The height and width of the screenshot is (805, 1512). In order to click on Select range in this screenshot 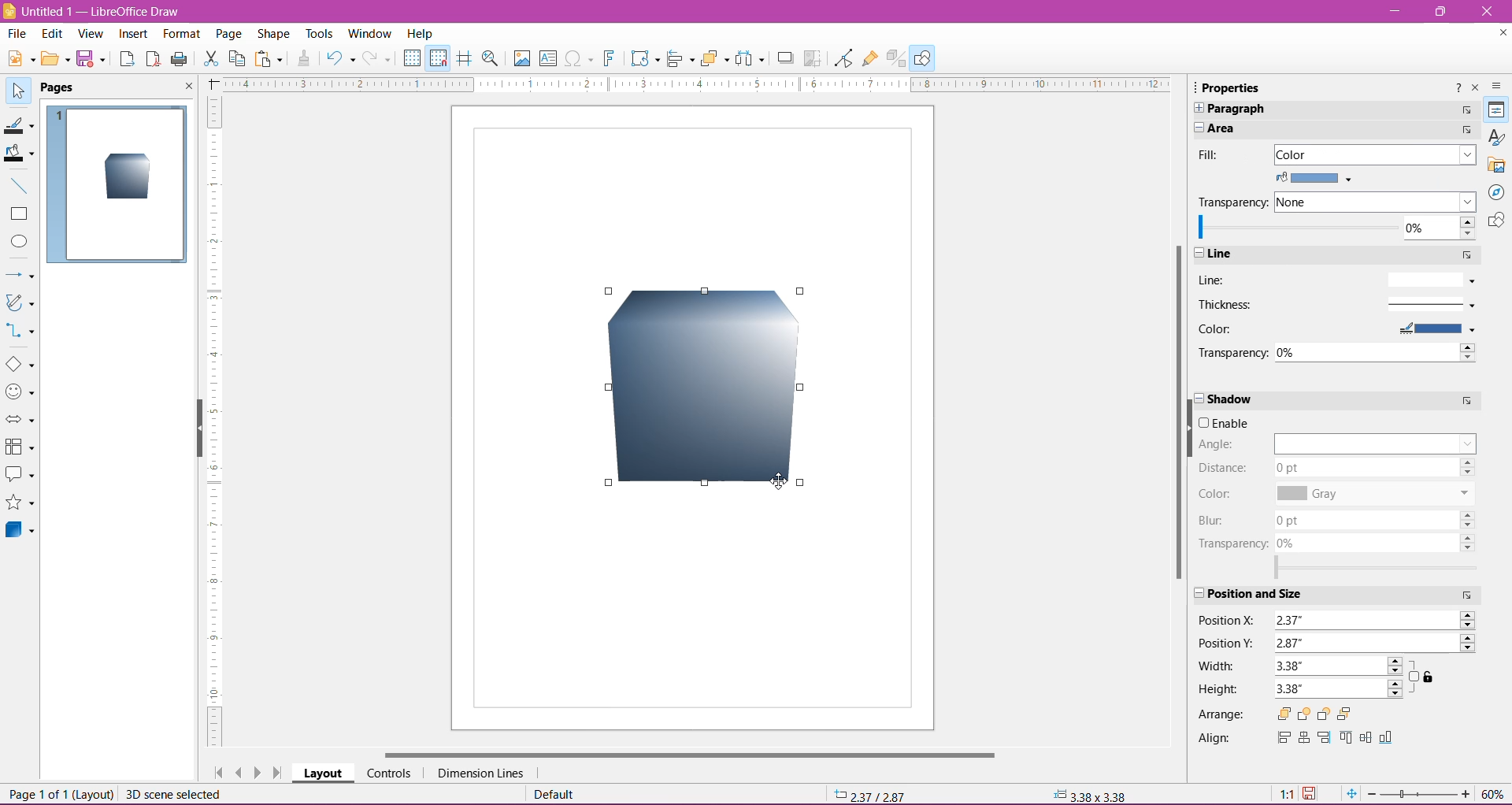, I will do `click(1380, 568)`.